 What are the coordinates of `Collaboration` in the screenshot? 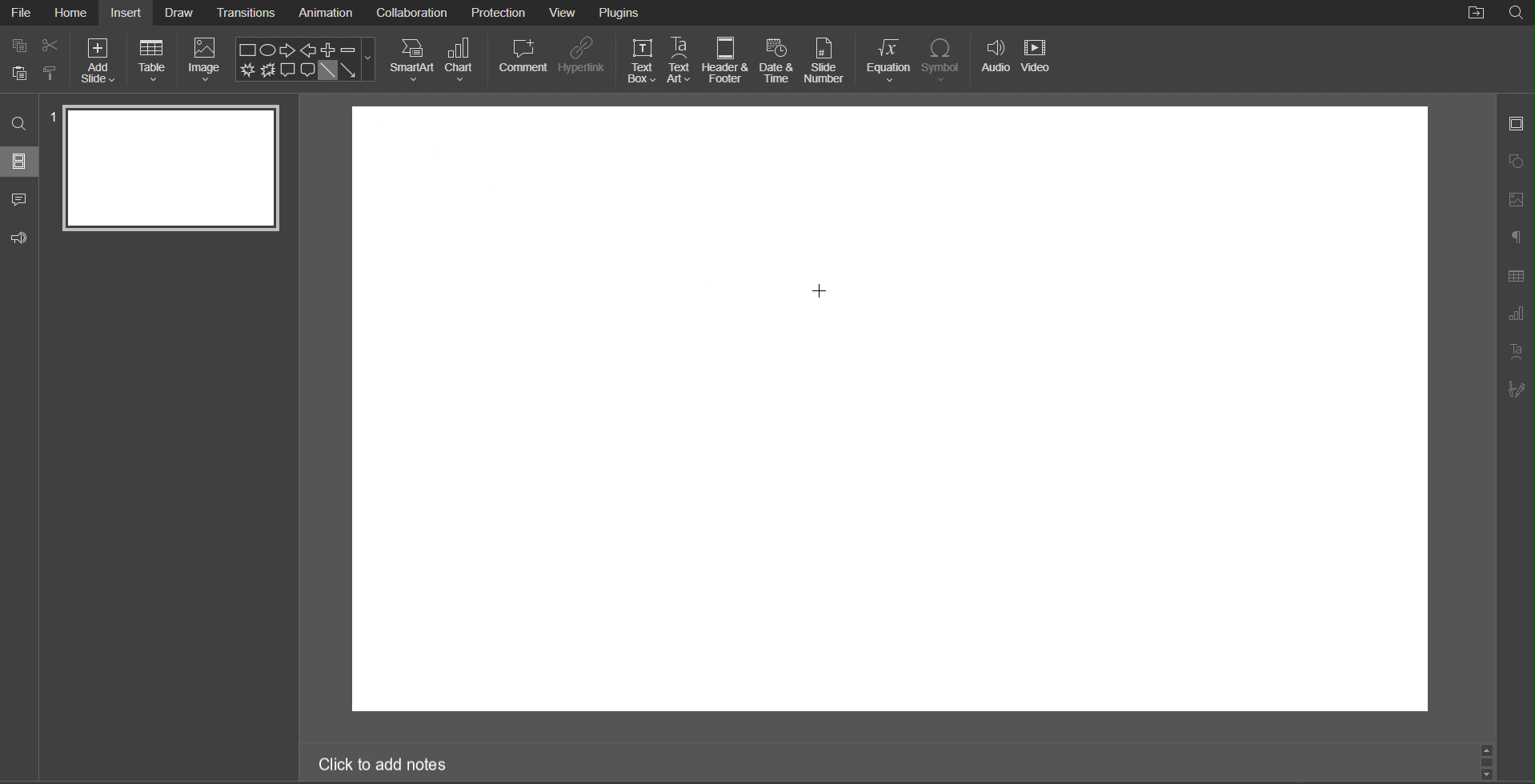 It's located at (410, 13).